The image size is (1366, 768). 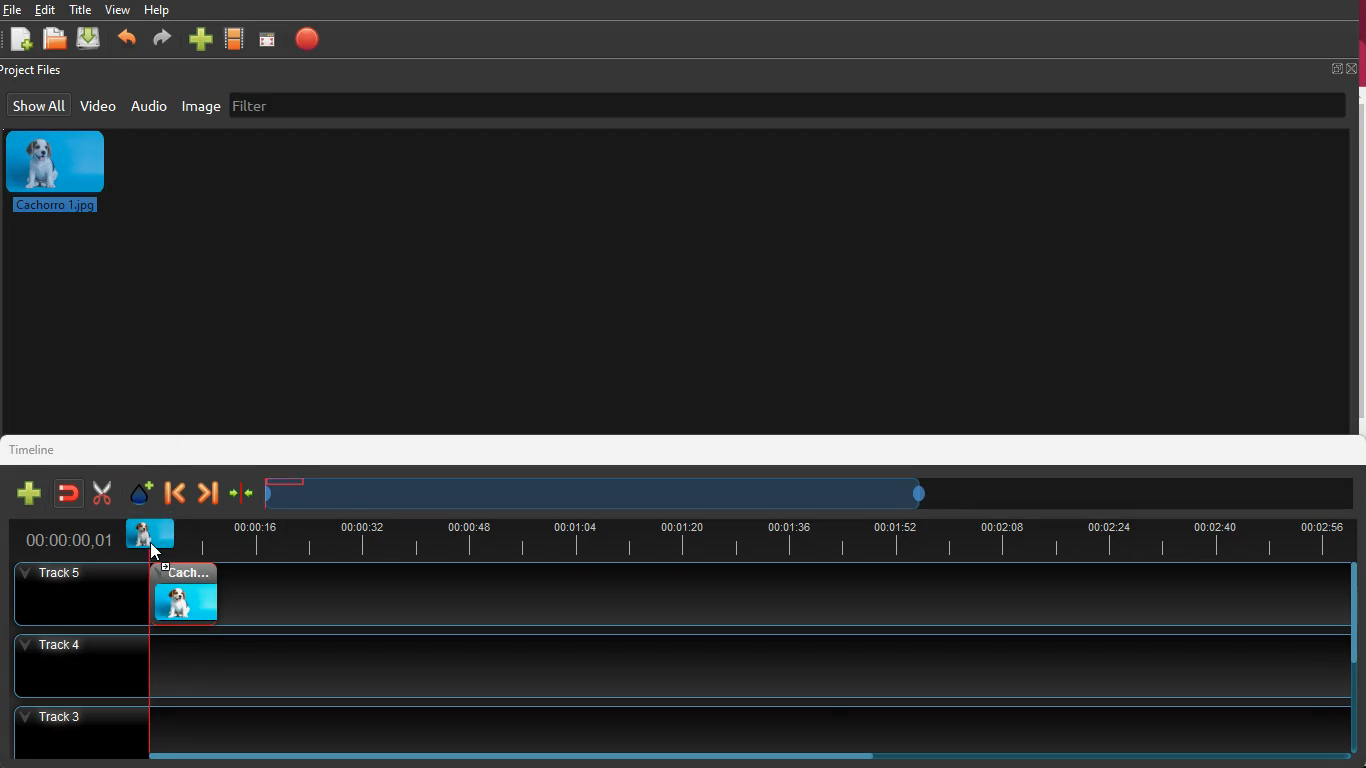 What do you see at coordinates (15, 12) in the screenshot?
I see `` at bounding box center [15, 12].